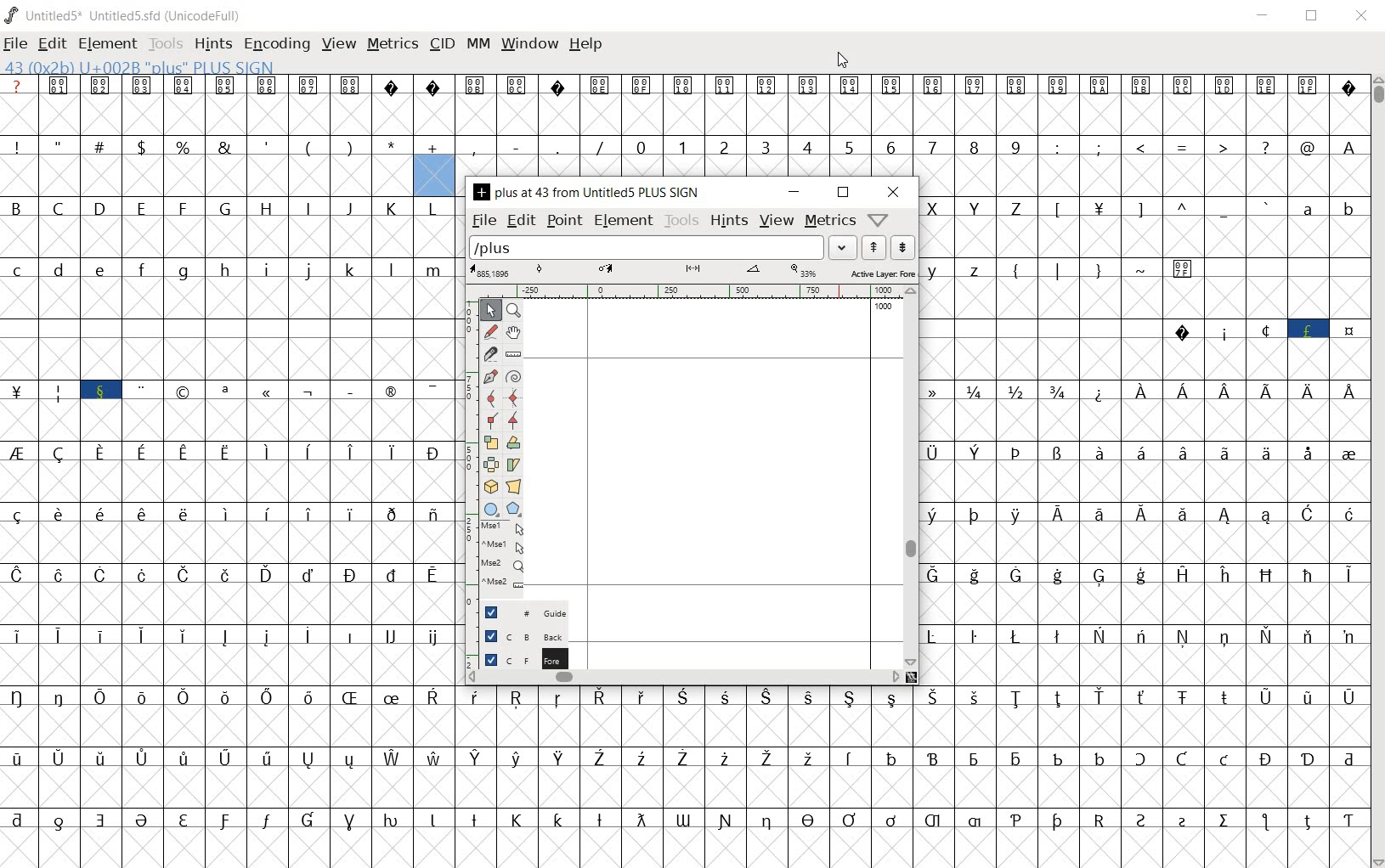  What do you see at coordinates (514, 486) in the screenshot?
I see `perform a perspective transformation on the selection` at bounding box center [514, 486].